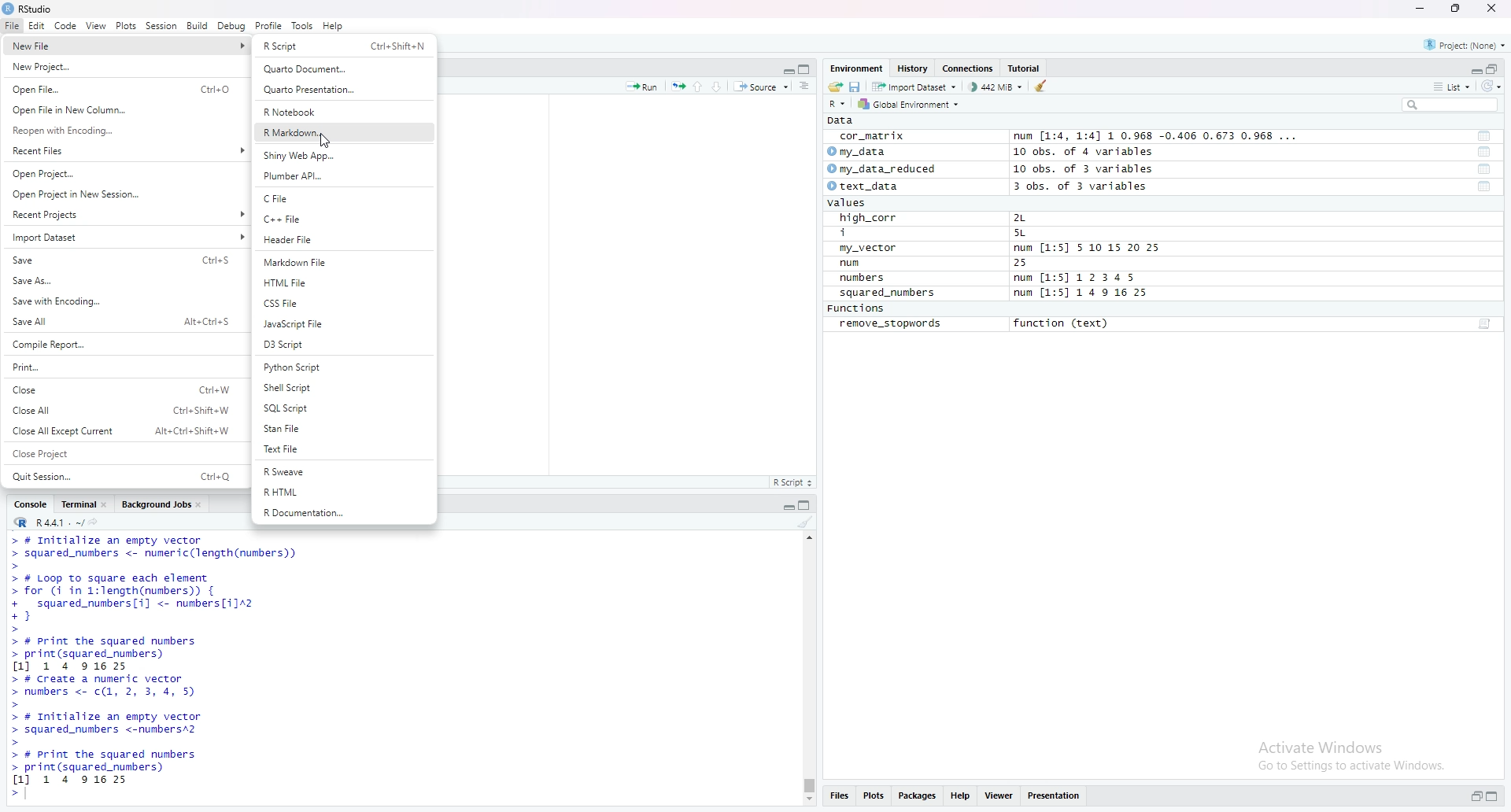 This screenshot has height=812, width=1511. What do you see at coordinates (342, 155) in the screenshot?
I see `Shiny Web App...` at bounding box center [342, 155].